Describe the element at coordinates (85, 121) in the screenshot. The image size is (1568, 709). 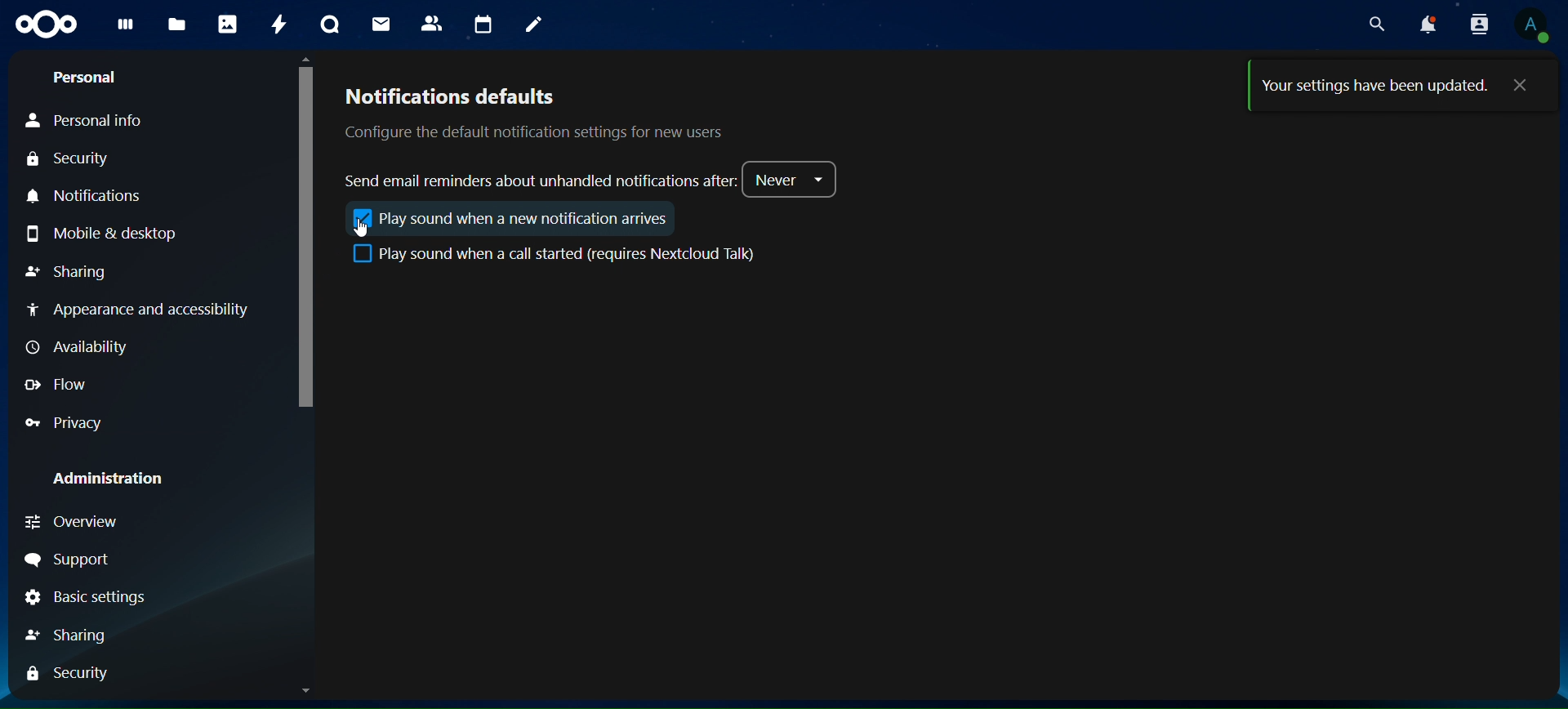
I see `Personal Info` at that location.